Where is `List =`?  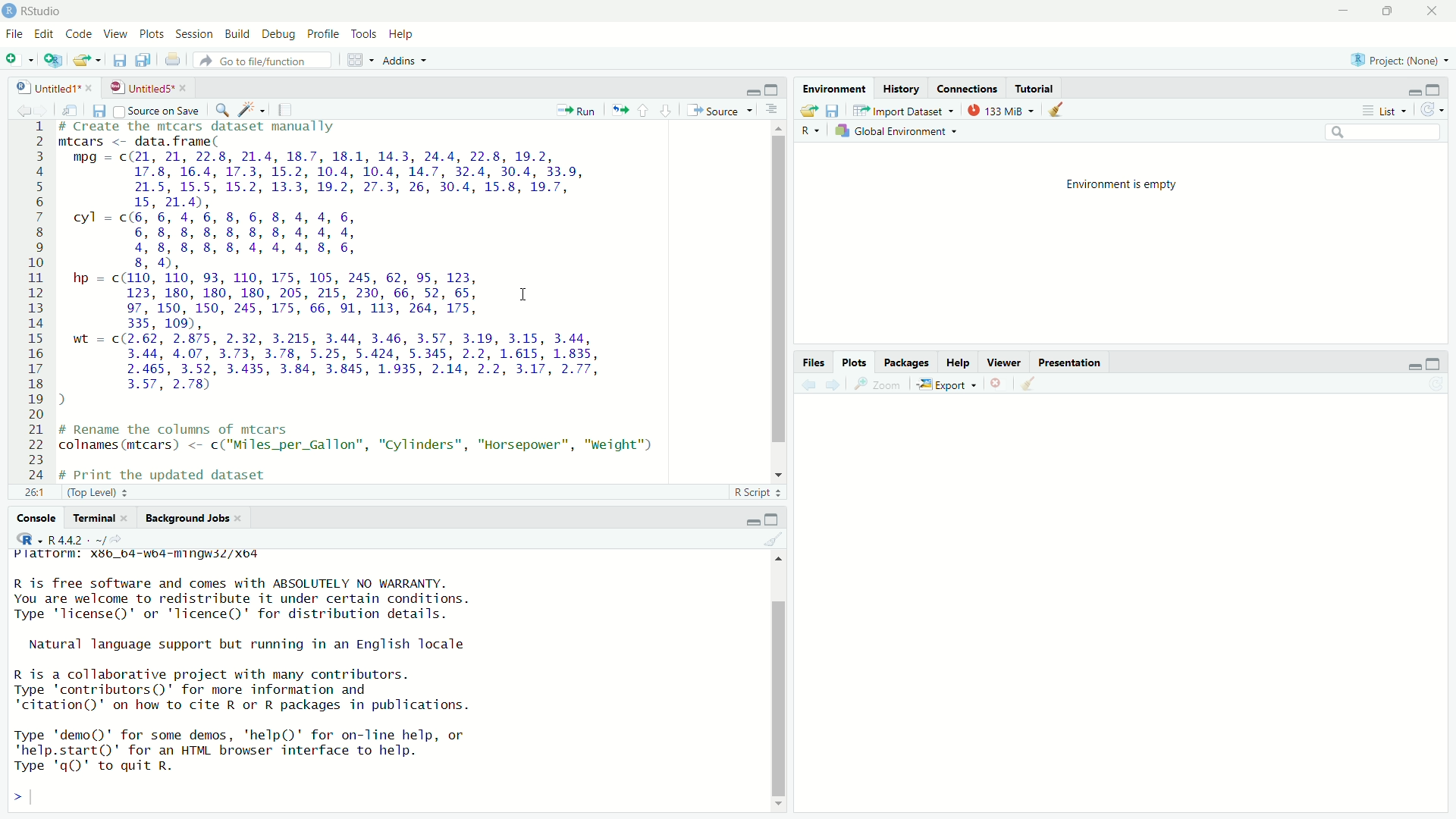 List = is located at coordinates (1382, 110).